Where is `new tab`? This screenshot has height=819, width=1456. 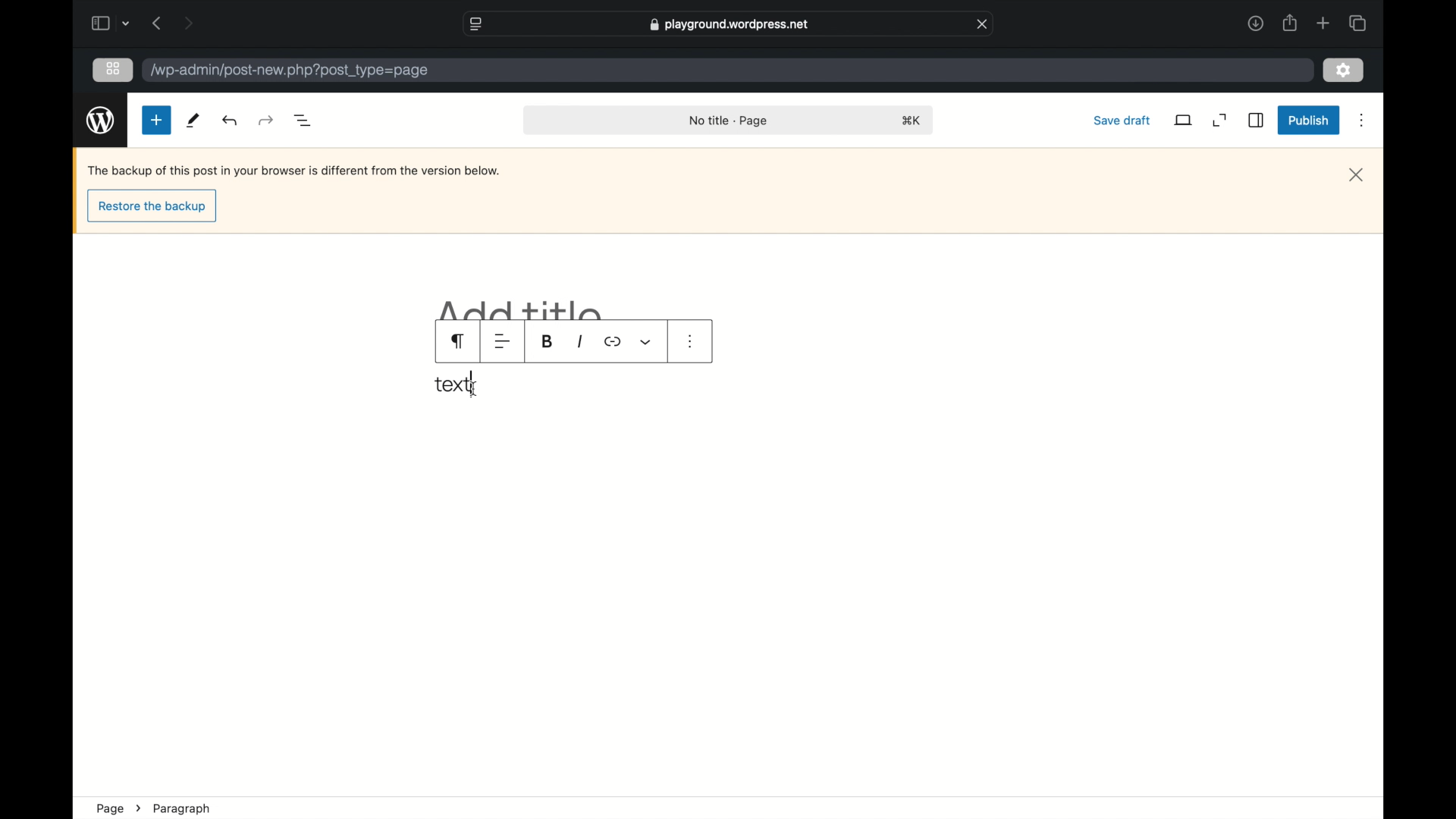 new tab is located at coordinates (1324, 23).